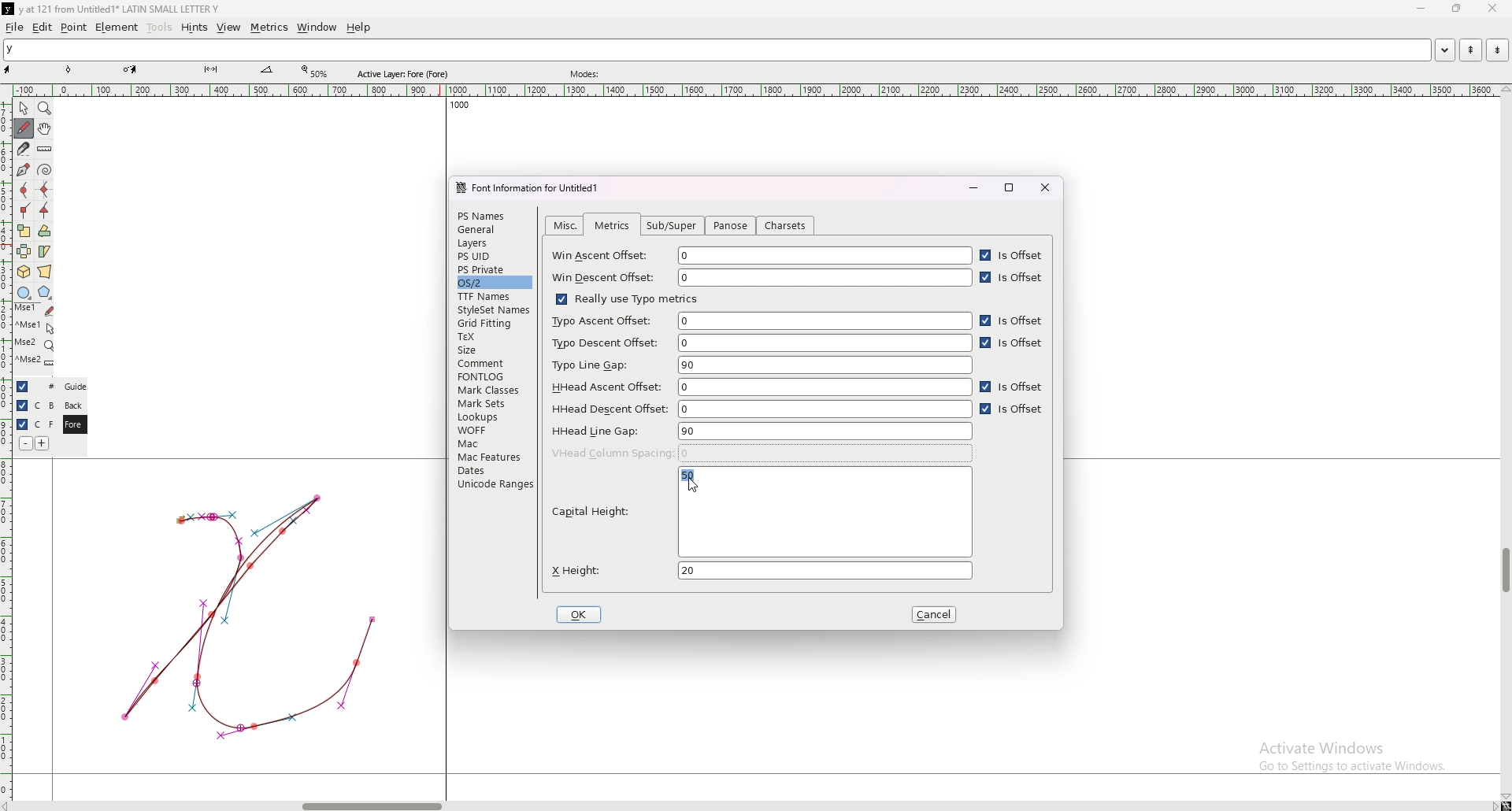 This screenshot has height=811, width=1512. I want to click on window, so click(317, 28).